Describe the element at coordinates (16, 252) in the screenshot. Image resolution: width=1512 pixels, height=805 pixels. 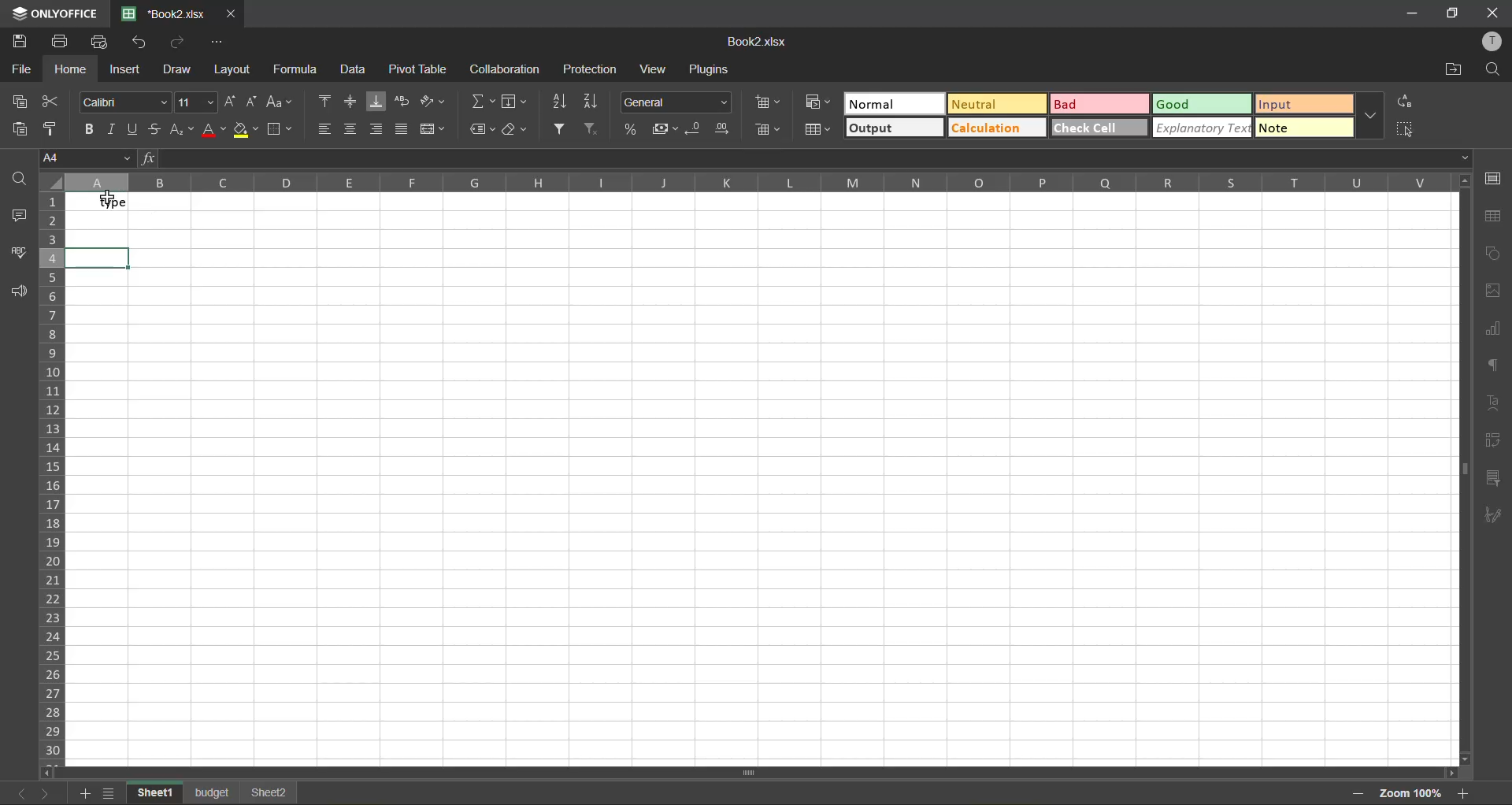
I see `spellcheck` at that location.